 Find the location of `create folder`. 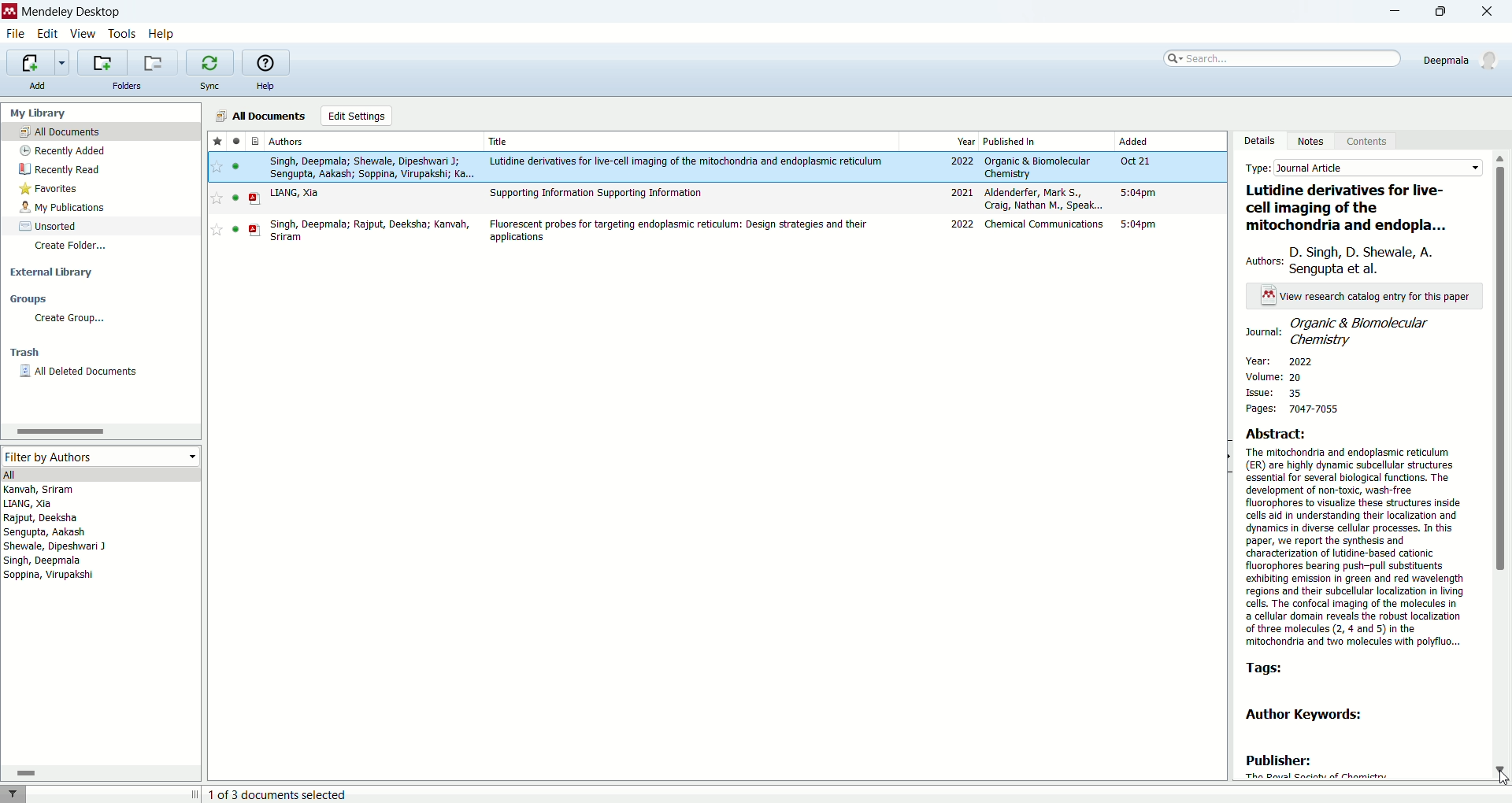

create folder is located at coordinates (73, 247).